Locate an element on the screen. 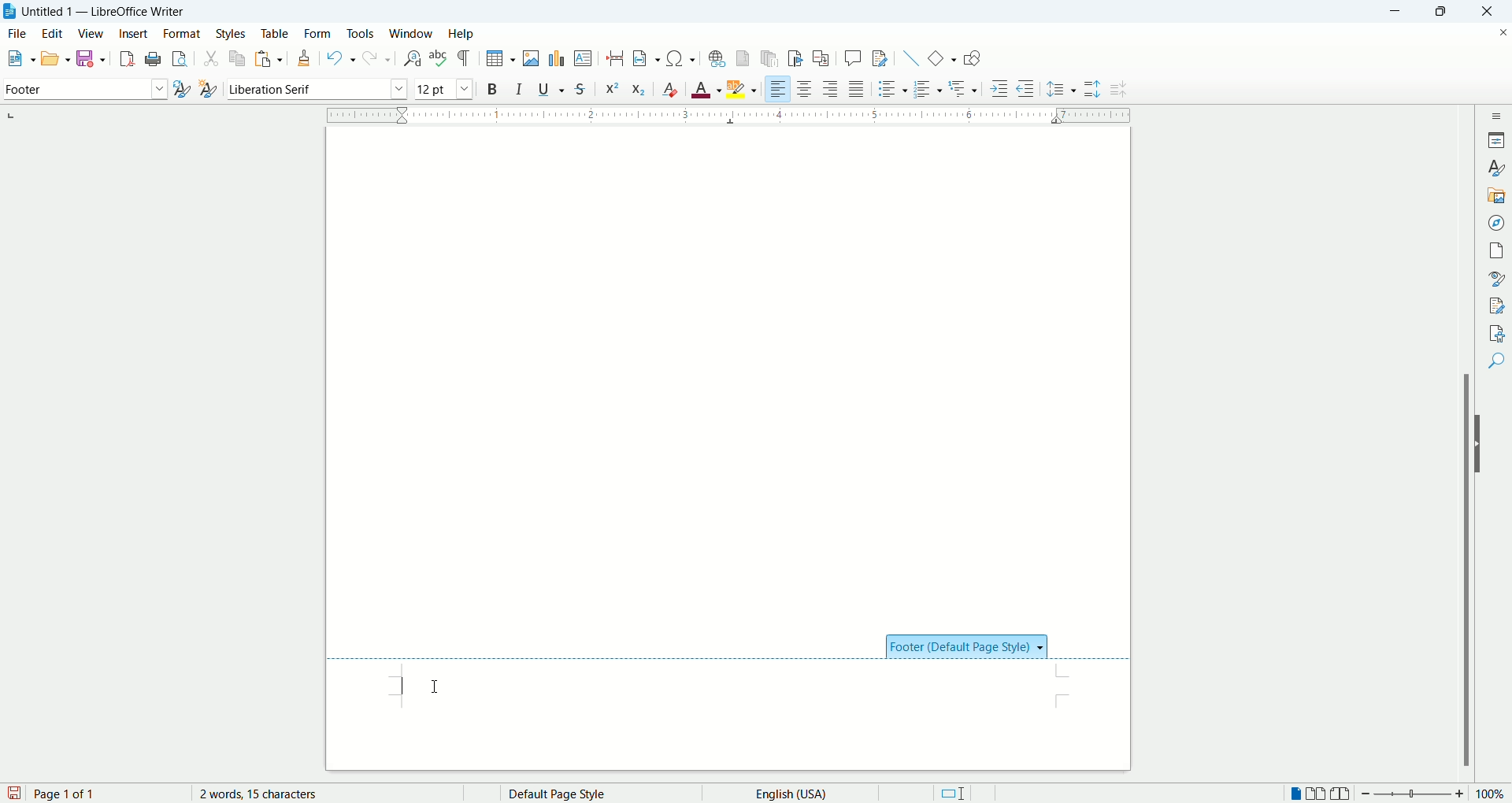 The image size is (1512, 803). align center is located at coordinates (809, 90).